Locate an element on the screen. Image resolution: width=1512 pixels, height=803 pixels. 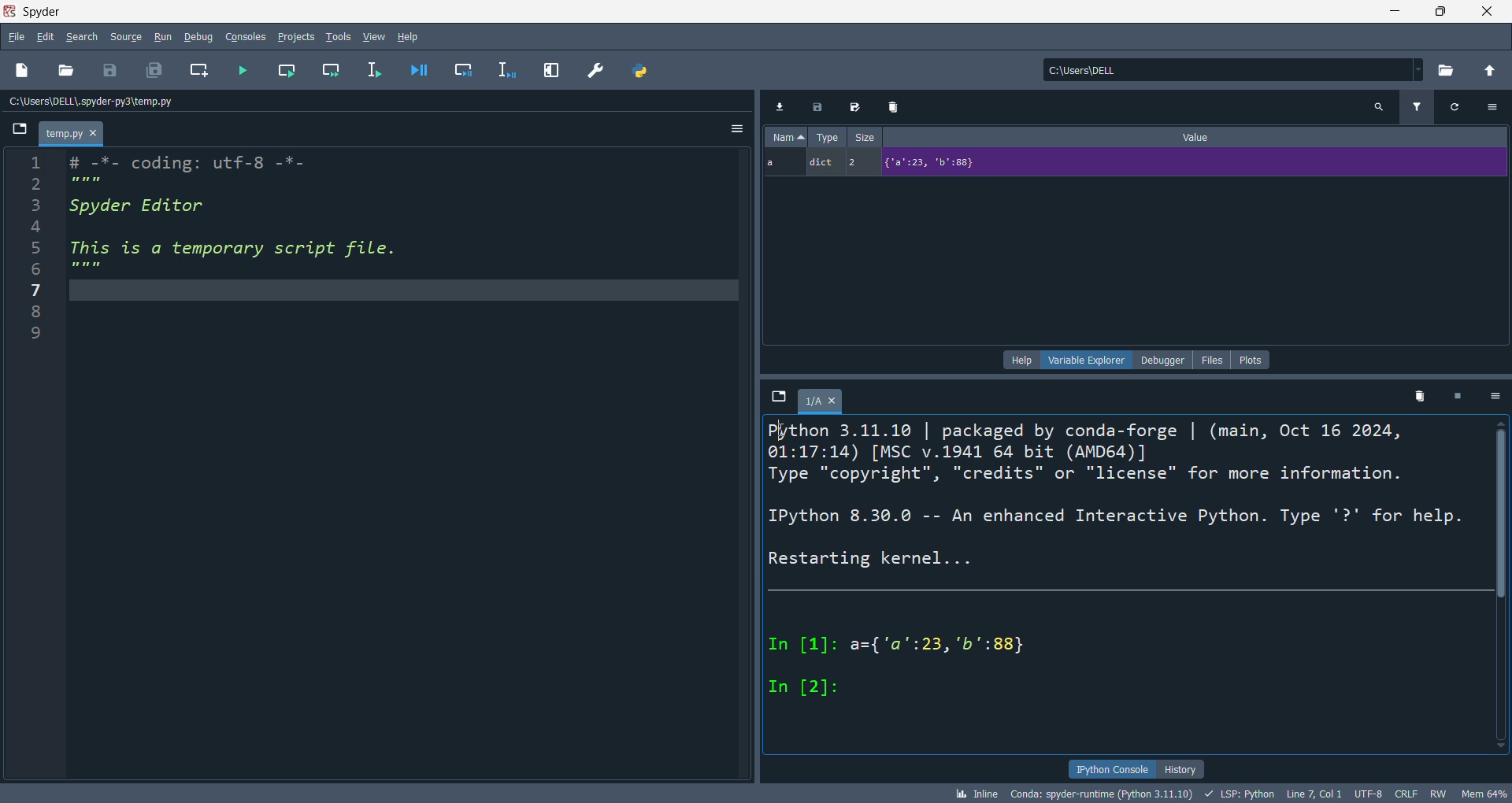
save data is located at coordinates (820, 105).